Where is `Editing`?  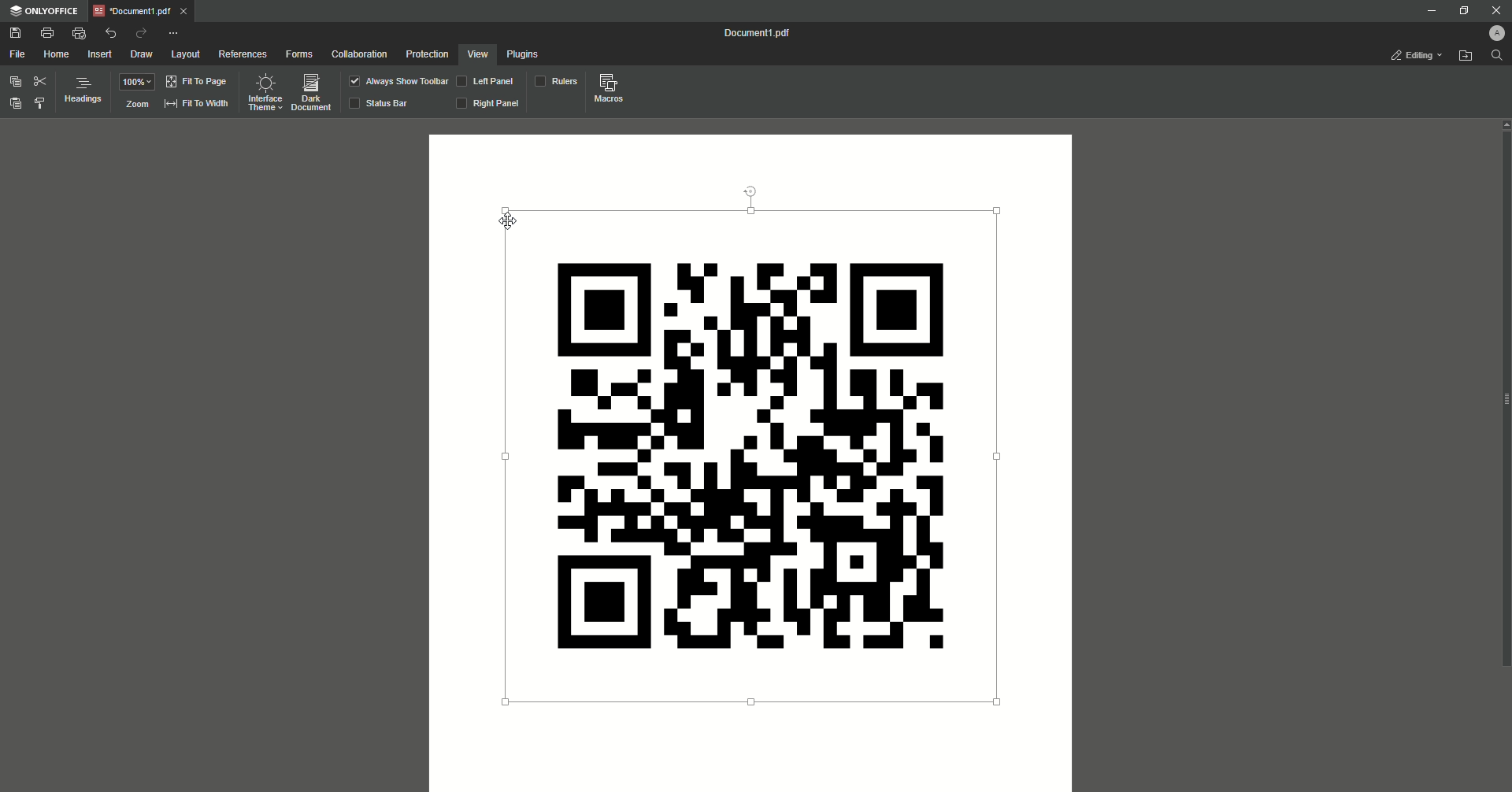
Editing is located at coordinates (1408, 54).